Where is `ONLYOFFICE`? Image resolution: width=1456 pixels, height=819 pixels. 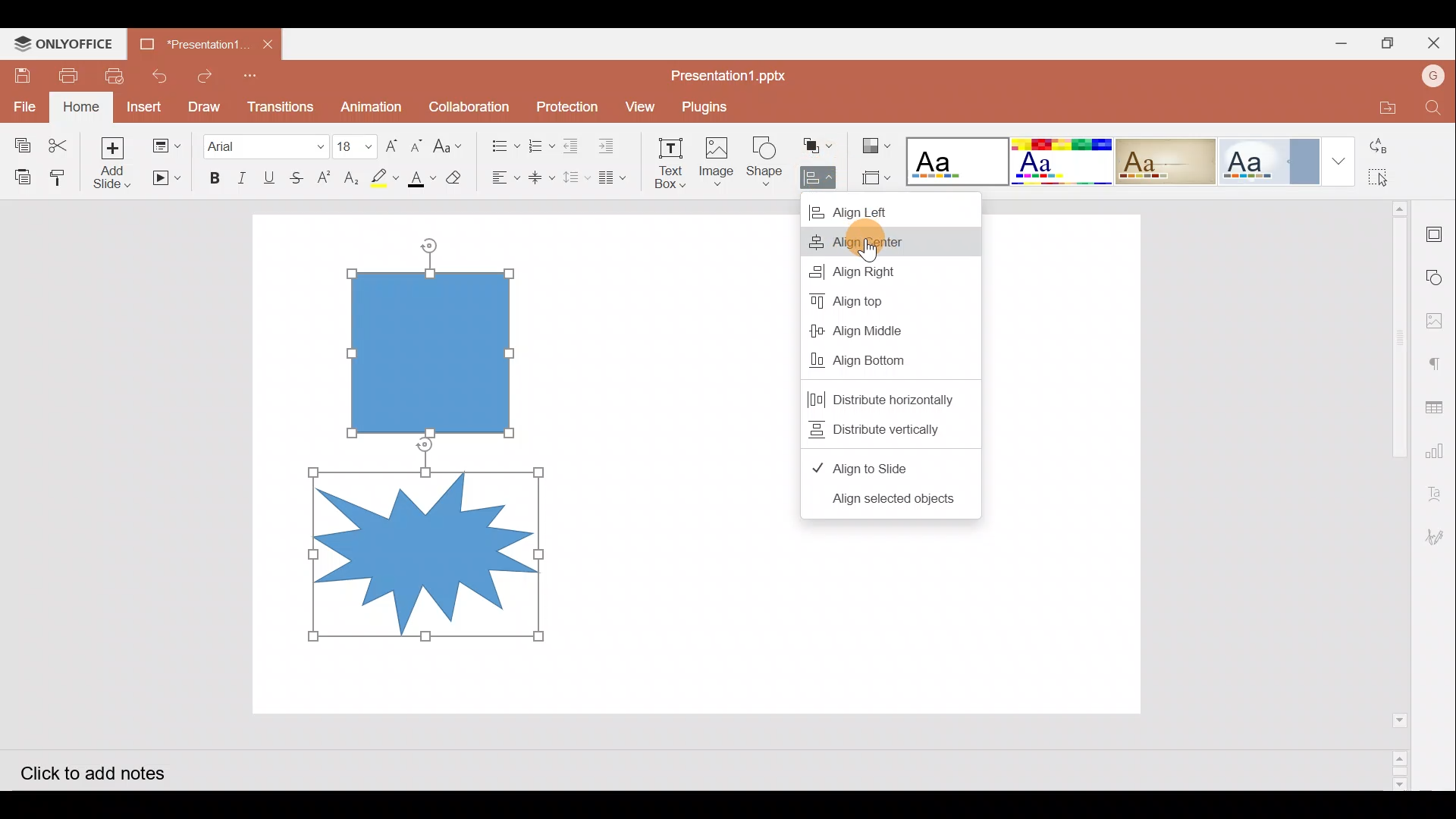 ONLYOFFICE is located at coordinates (67, 42).